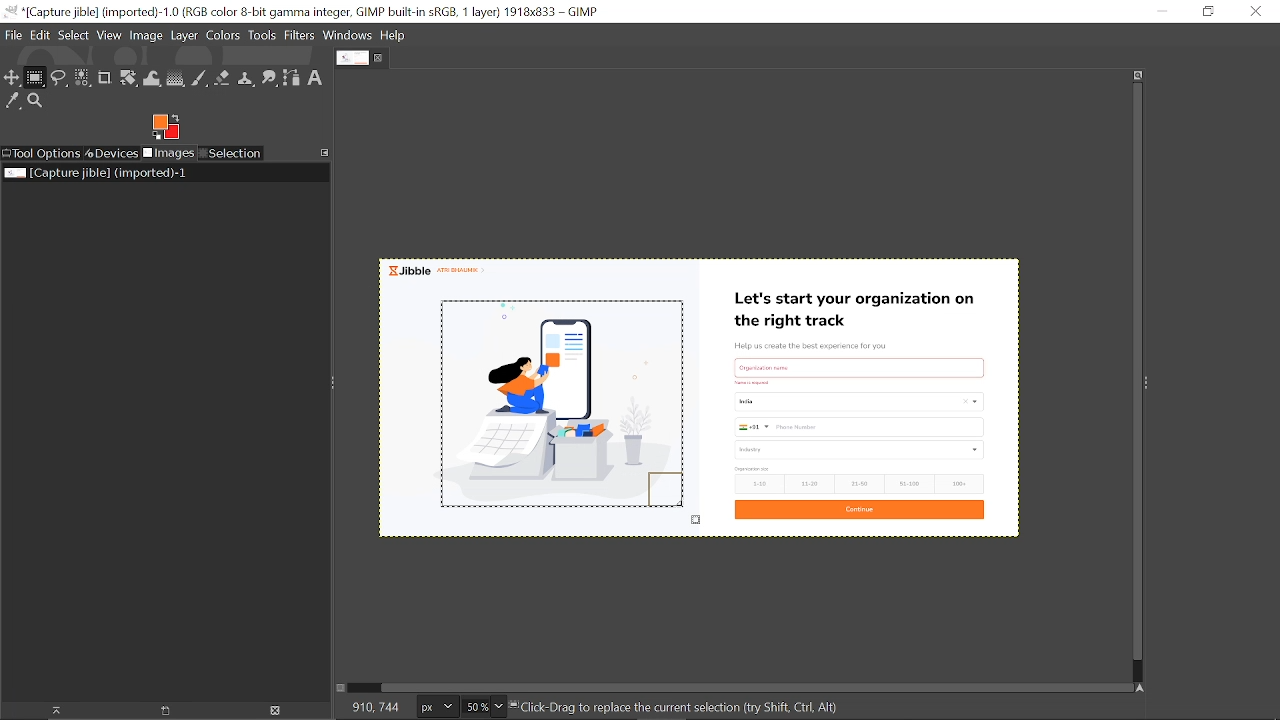 This screenshot has height=720, width=1280. Describe the element at coordinates (1152, 384) in the screenshot. I see `Sidebar menu` at that location.